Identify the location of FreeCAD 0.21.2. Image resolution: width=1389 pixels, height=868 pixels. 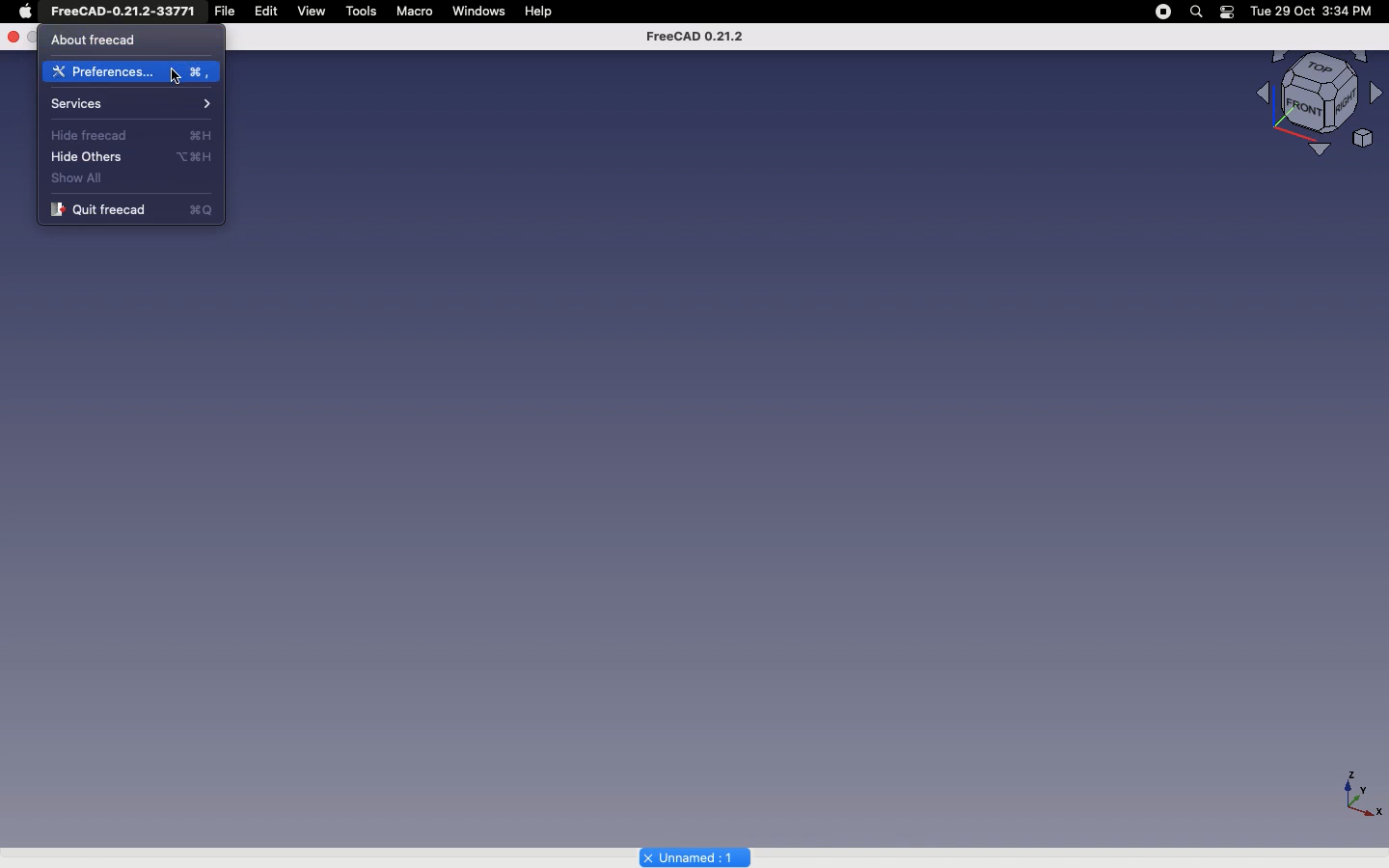
(695, 38).